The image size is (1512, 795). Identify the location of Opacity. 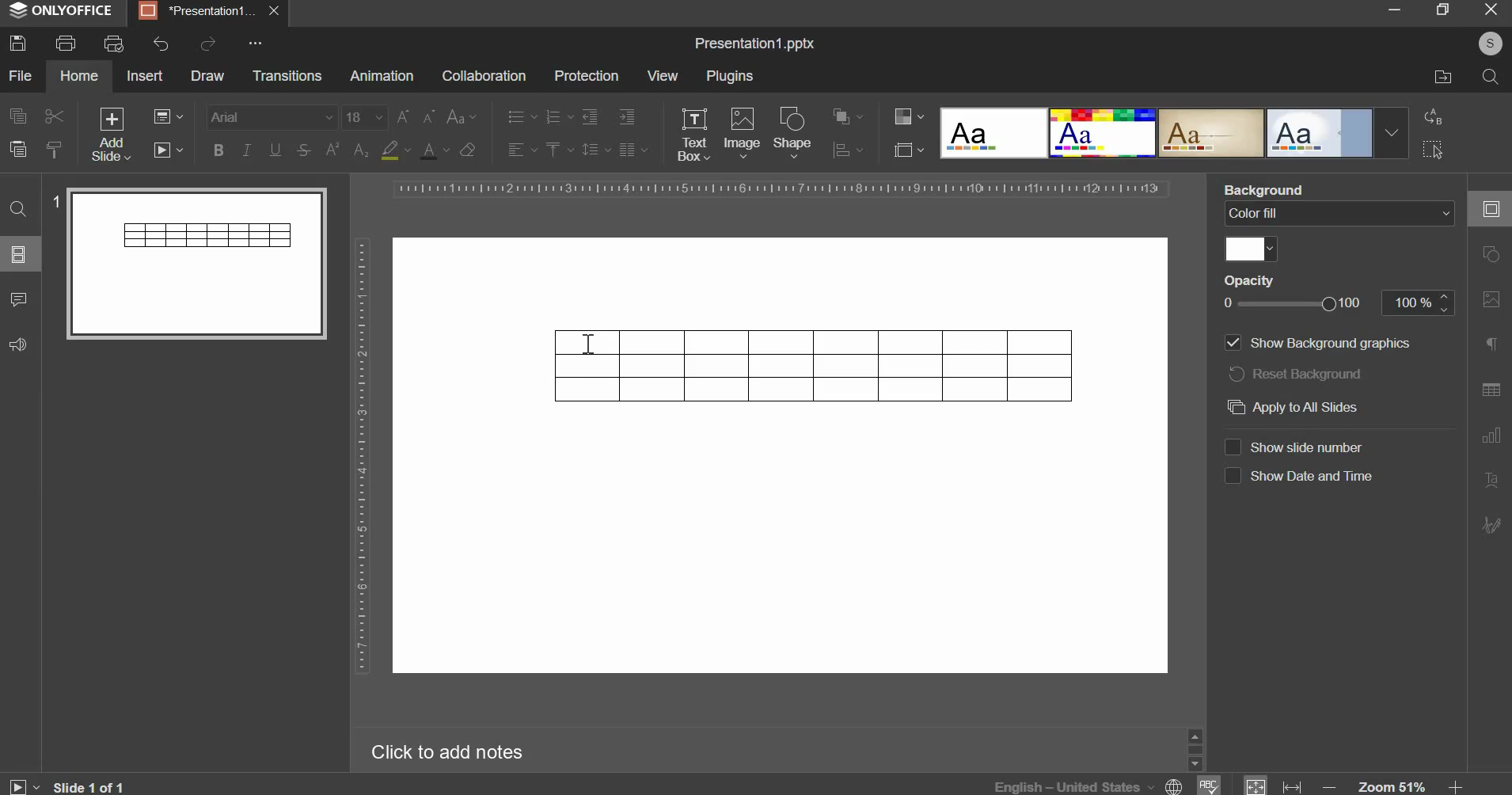
(1296, 282).